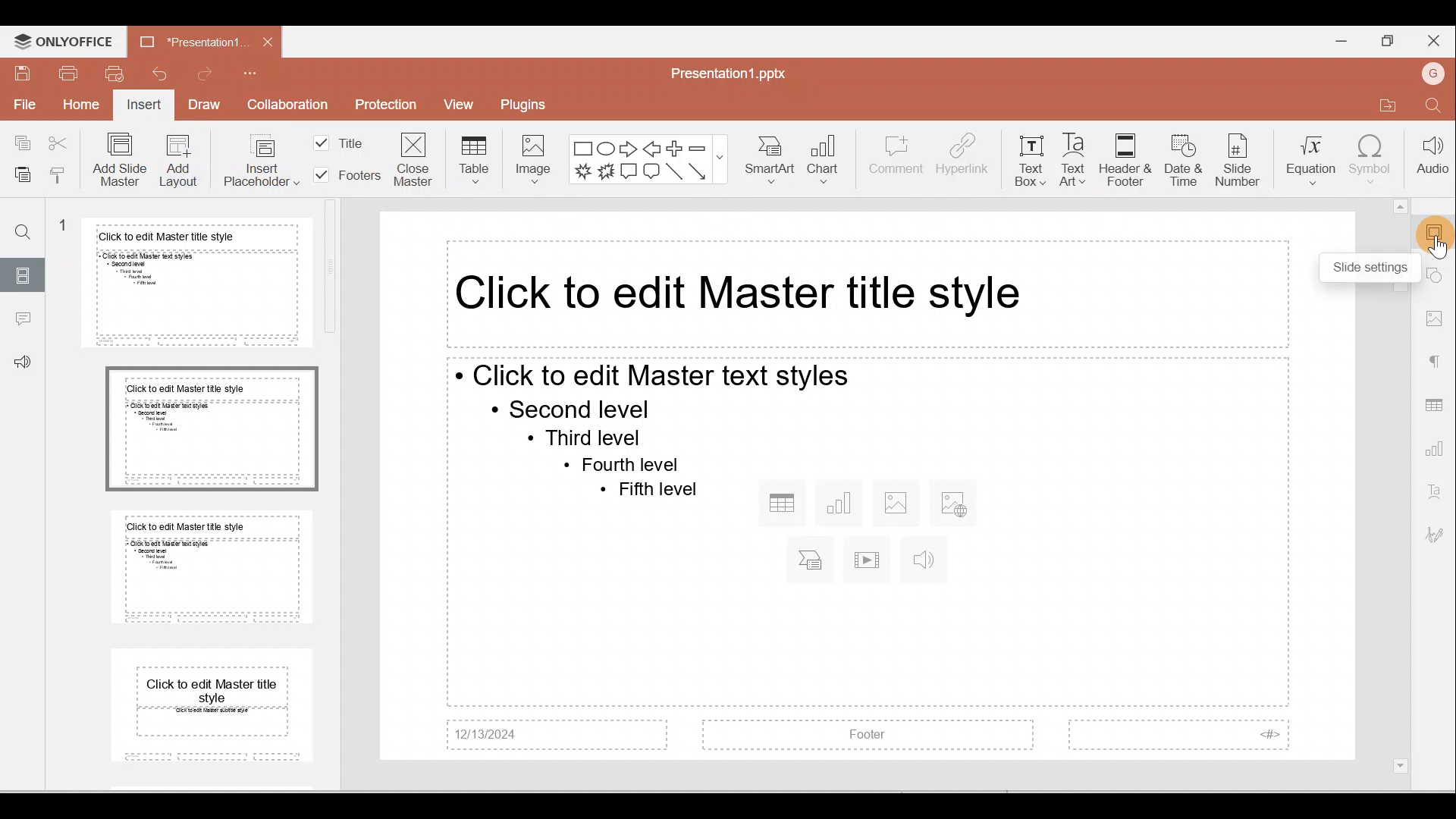  Describe the element at coordinates (606, 147) in the screenshot. I see `Ellipse` at that location.